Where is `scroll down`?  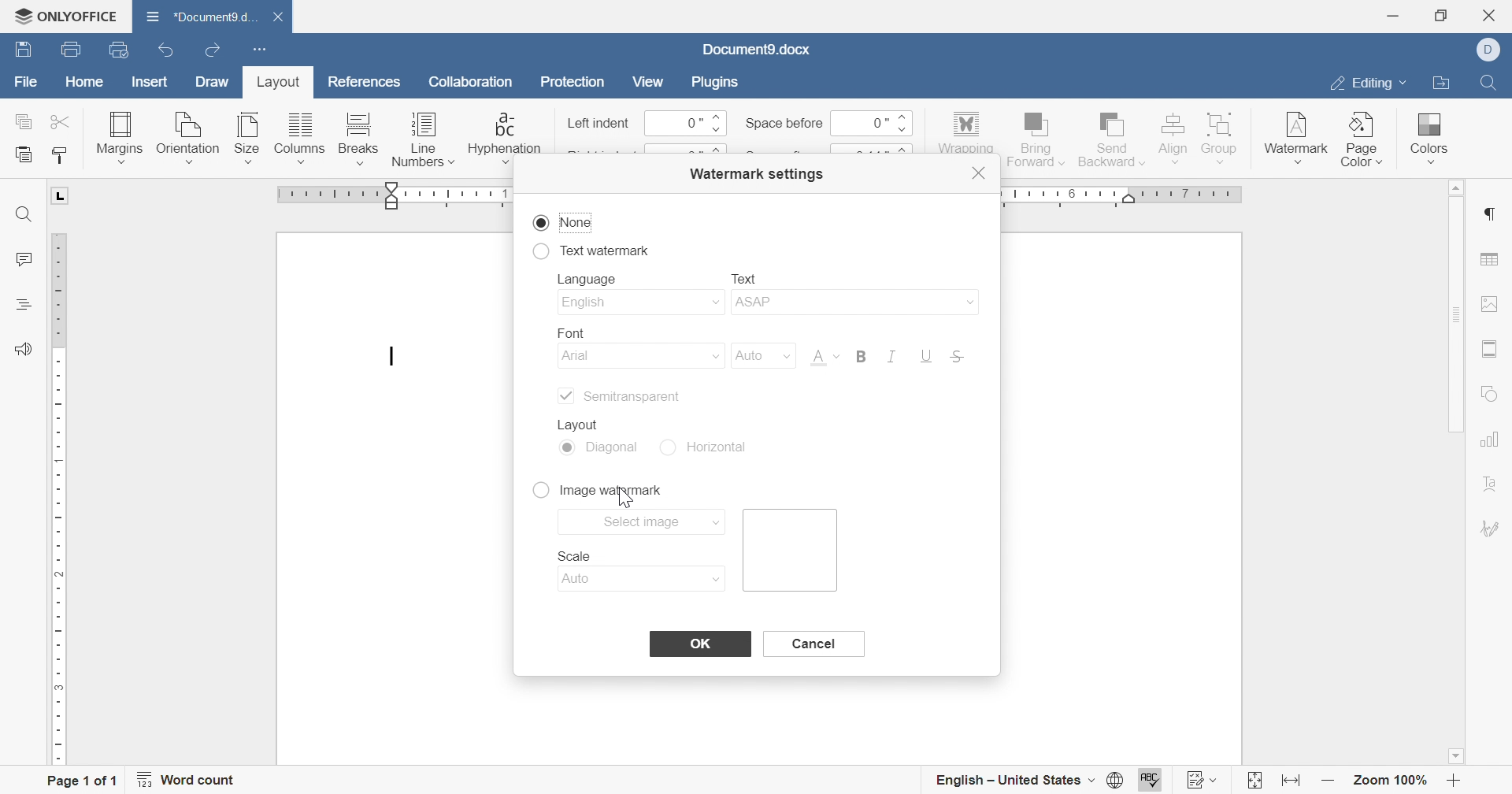 scroll down is located at coordinates (1455, 756).